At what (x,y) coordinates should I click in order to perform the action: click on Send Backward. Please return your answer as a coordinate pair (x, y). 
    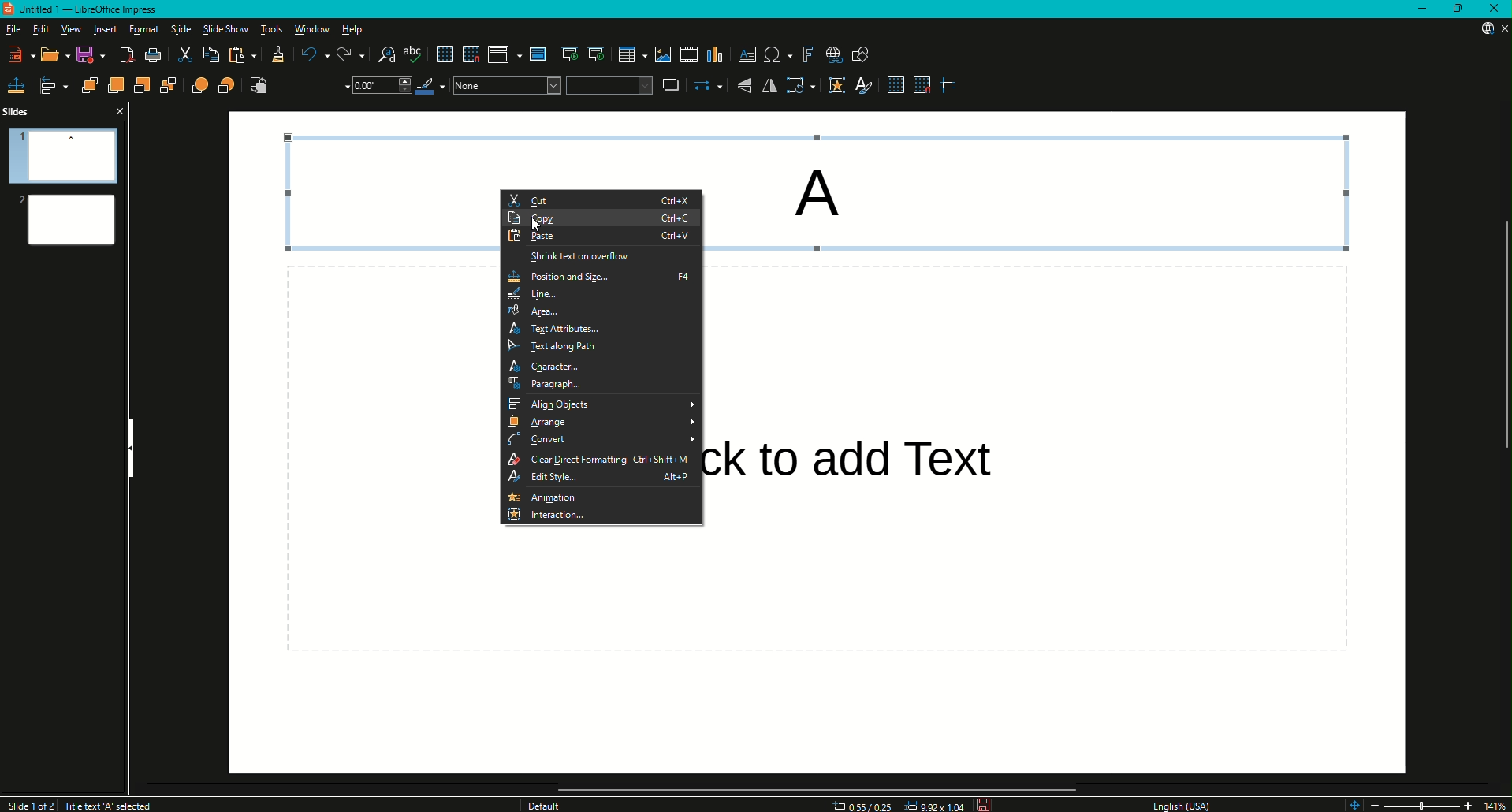
    Looking at the image, I should click on (142, 85).